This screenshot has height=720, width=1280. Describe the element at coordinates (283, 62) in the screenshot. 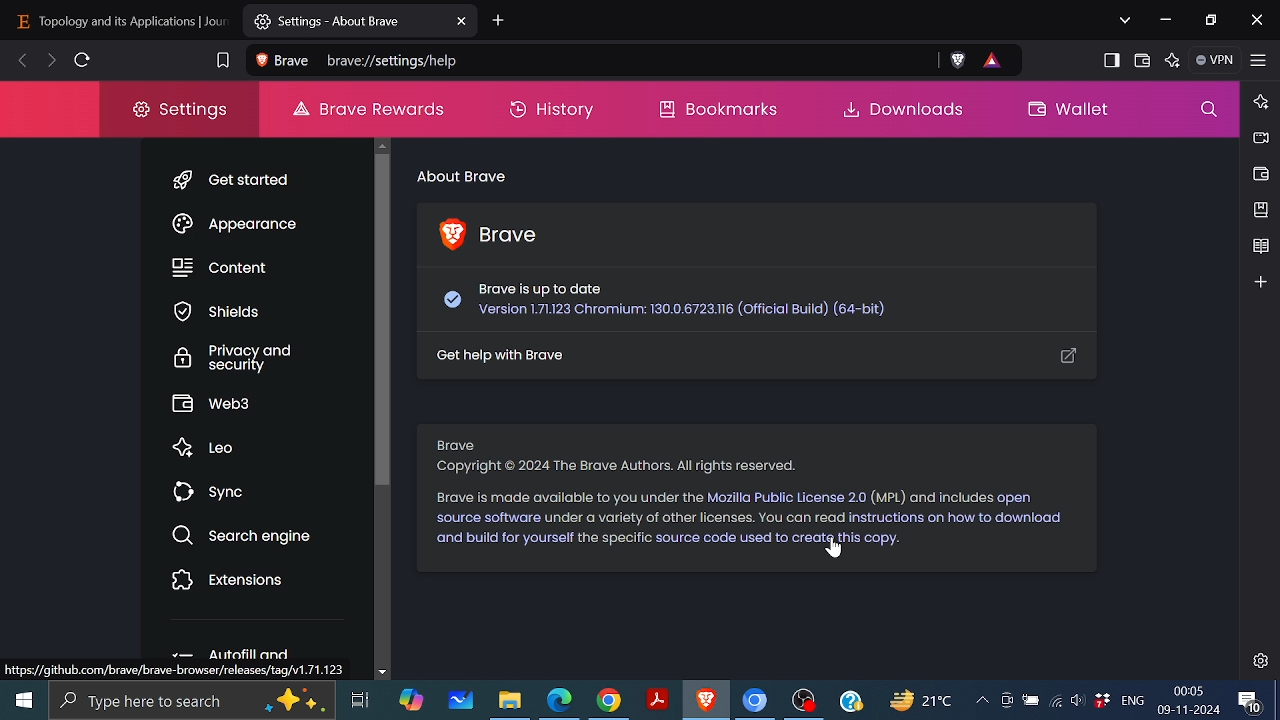

I see `brave` at that location.